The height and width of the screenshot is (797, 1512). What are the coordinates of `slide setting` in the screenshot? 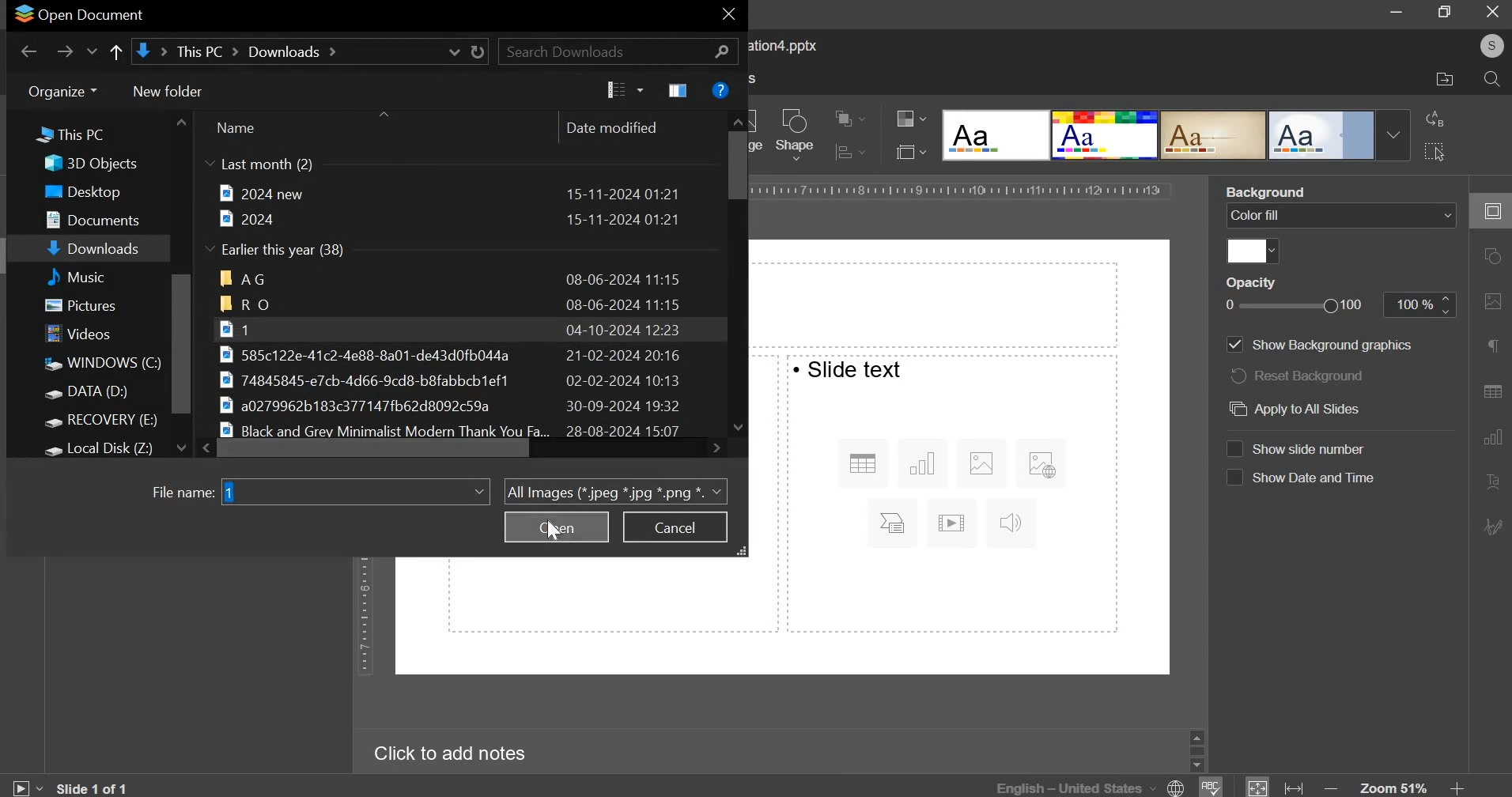 It's located at (1489, 211).